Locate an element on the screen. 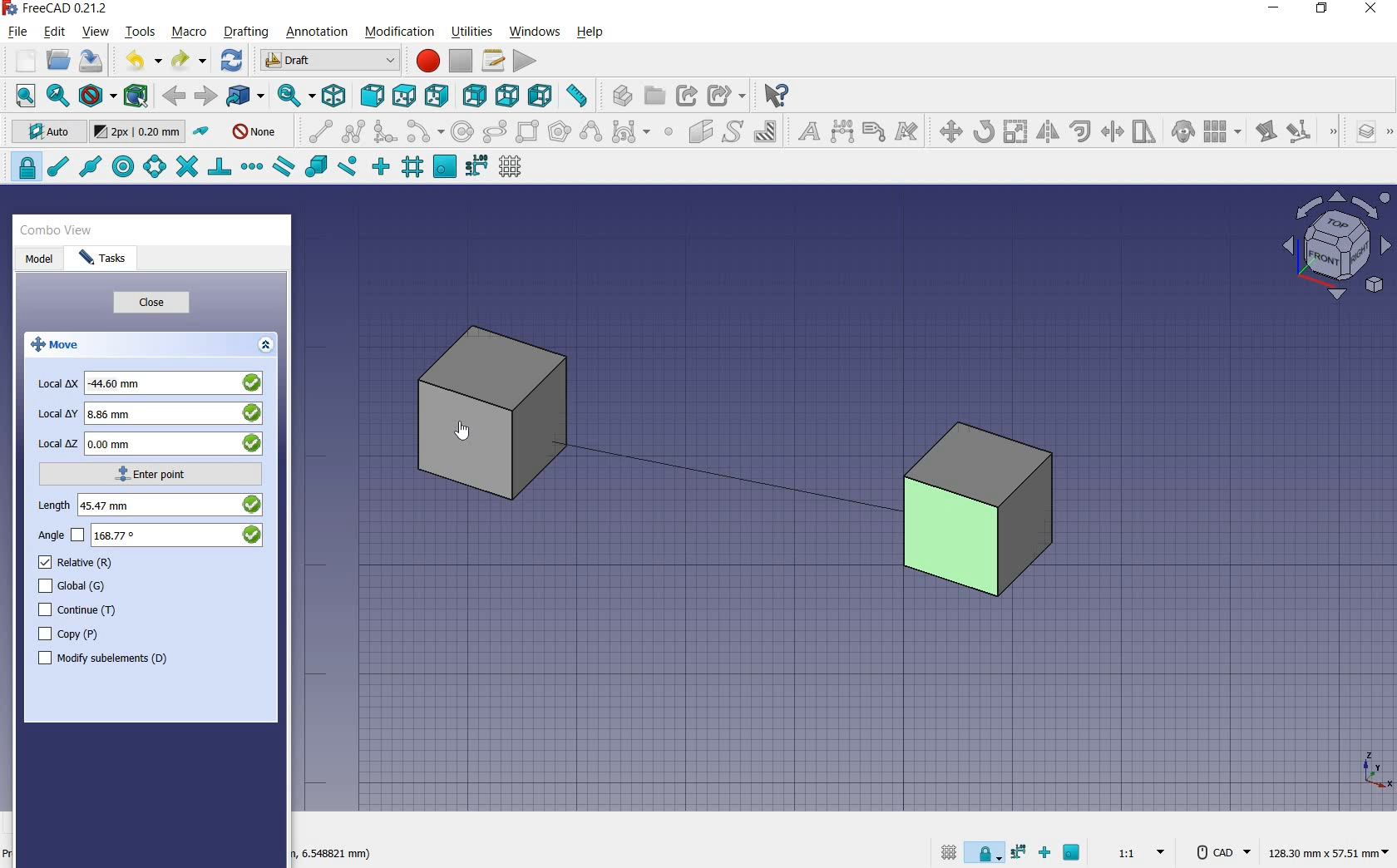  dimension is located at coordinates (843, 131).